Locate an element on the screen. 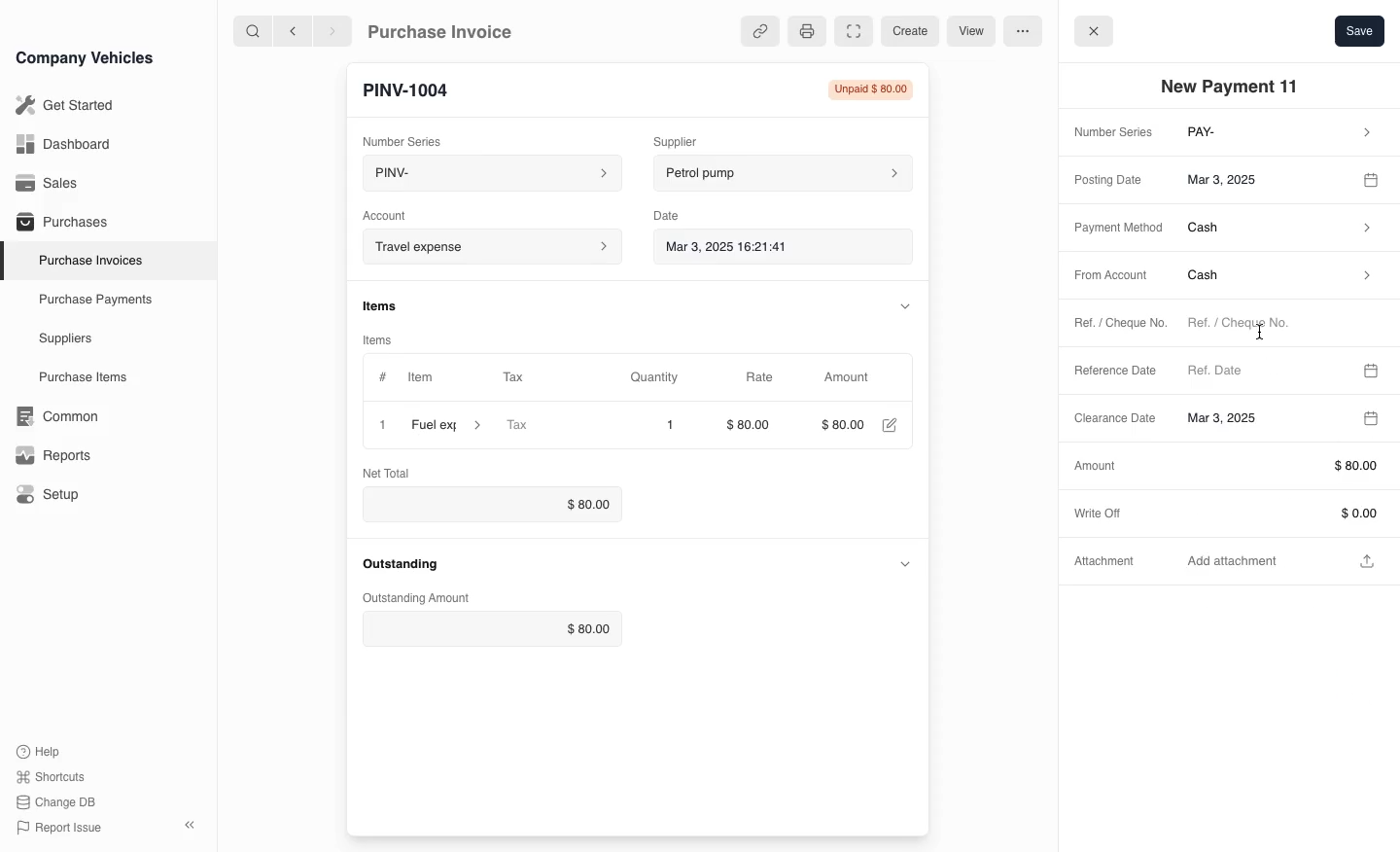 Image resolution: width=1400 pixels, height=852 pixels. Attachment is located at coordinates (1107, 565).